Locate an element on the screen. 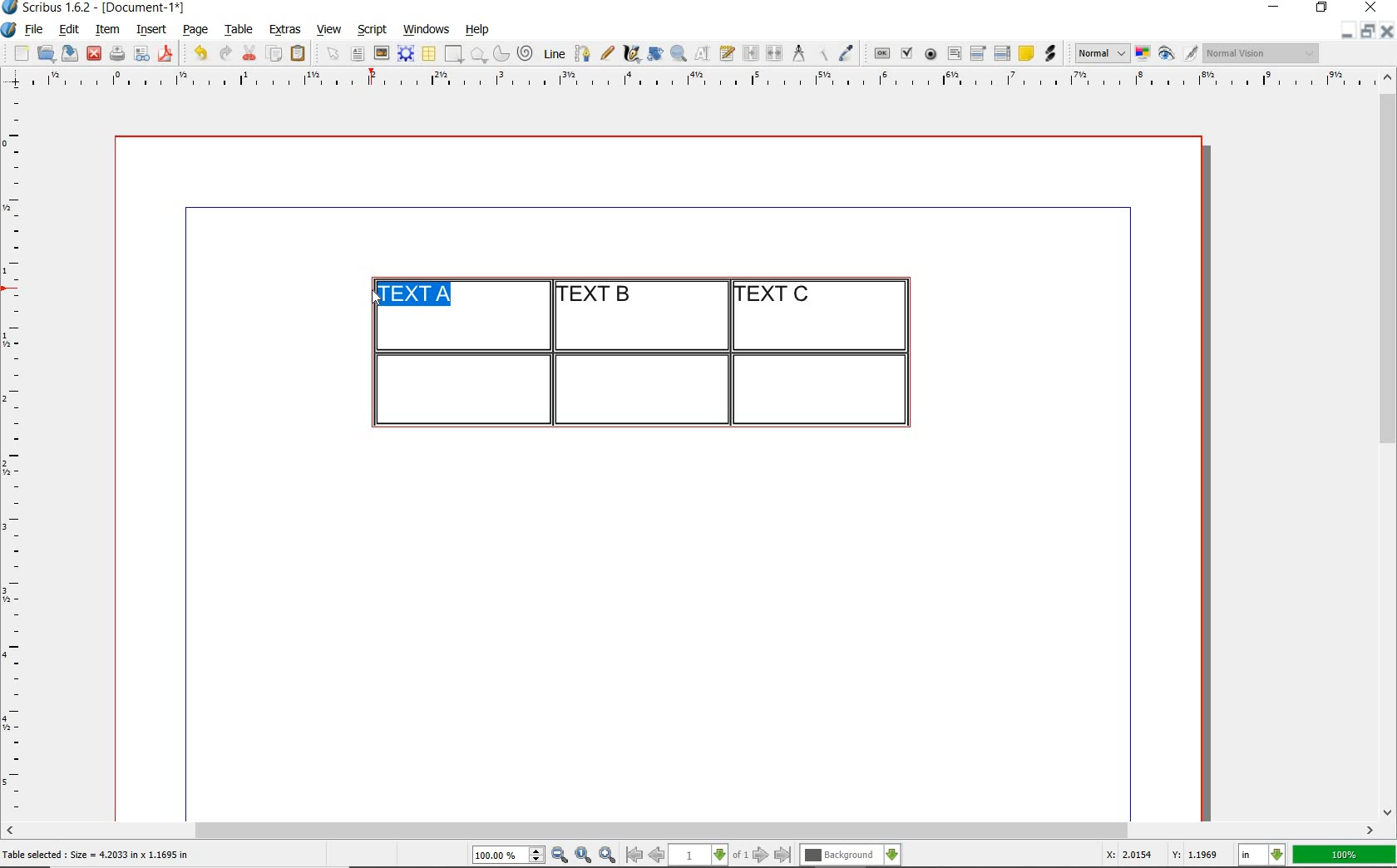 This screenshot has width=1397, height=868. save is located at coordinates (67, 53).